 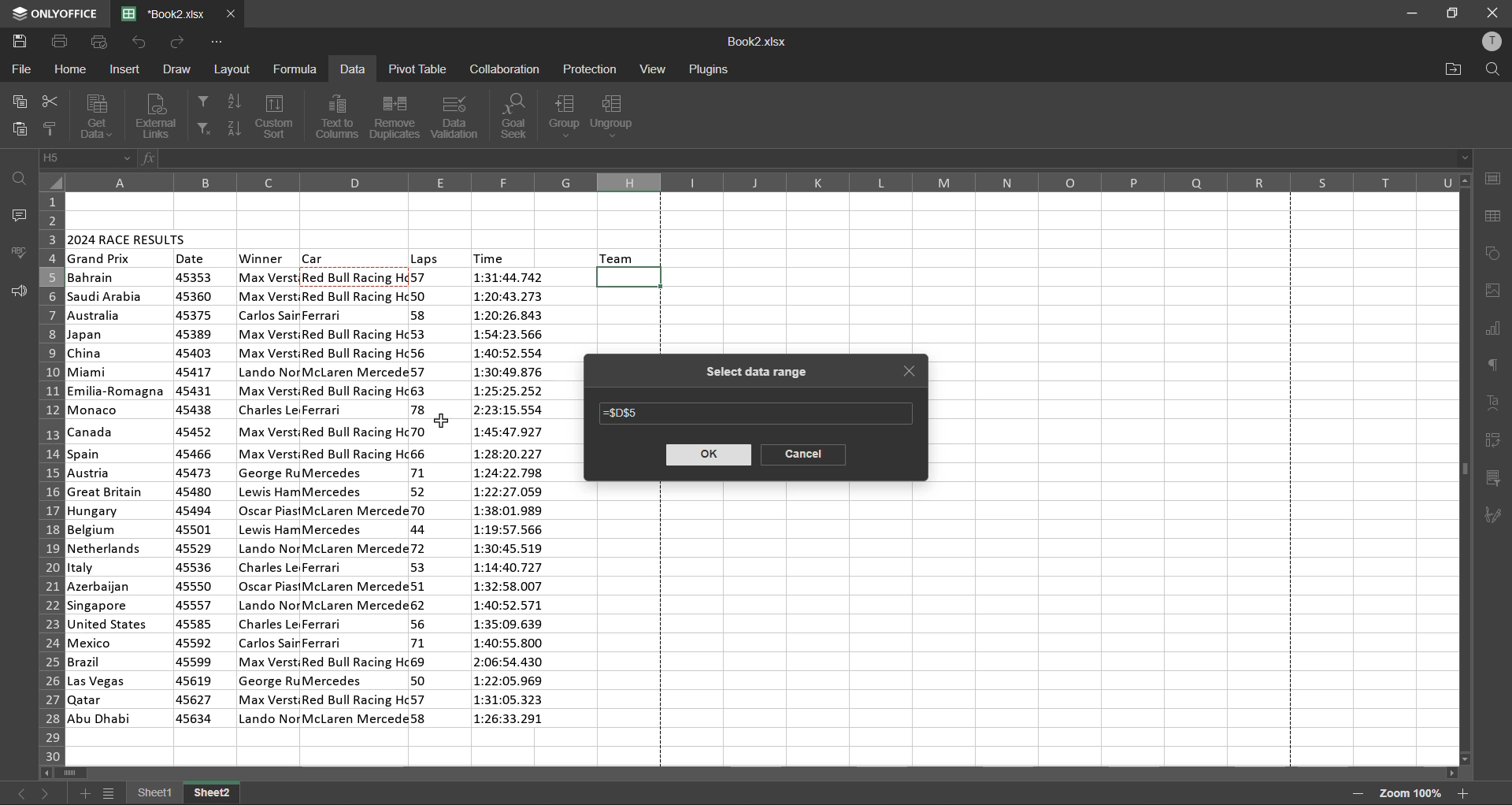 I want to click on cell settings, so click(x=1492, y=178).